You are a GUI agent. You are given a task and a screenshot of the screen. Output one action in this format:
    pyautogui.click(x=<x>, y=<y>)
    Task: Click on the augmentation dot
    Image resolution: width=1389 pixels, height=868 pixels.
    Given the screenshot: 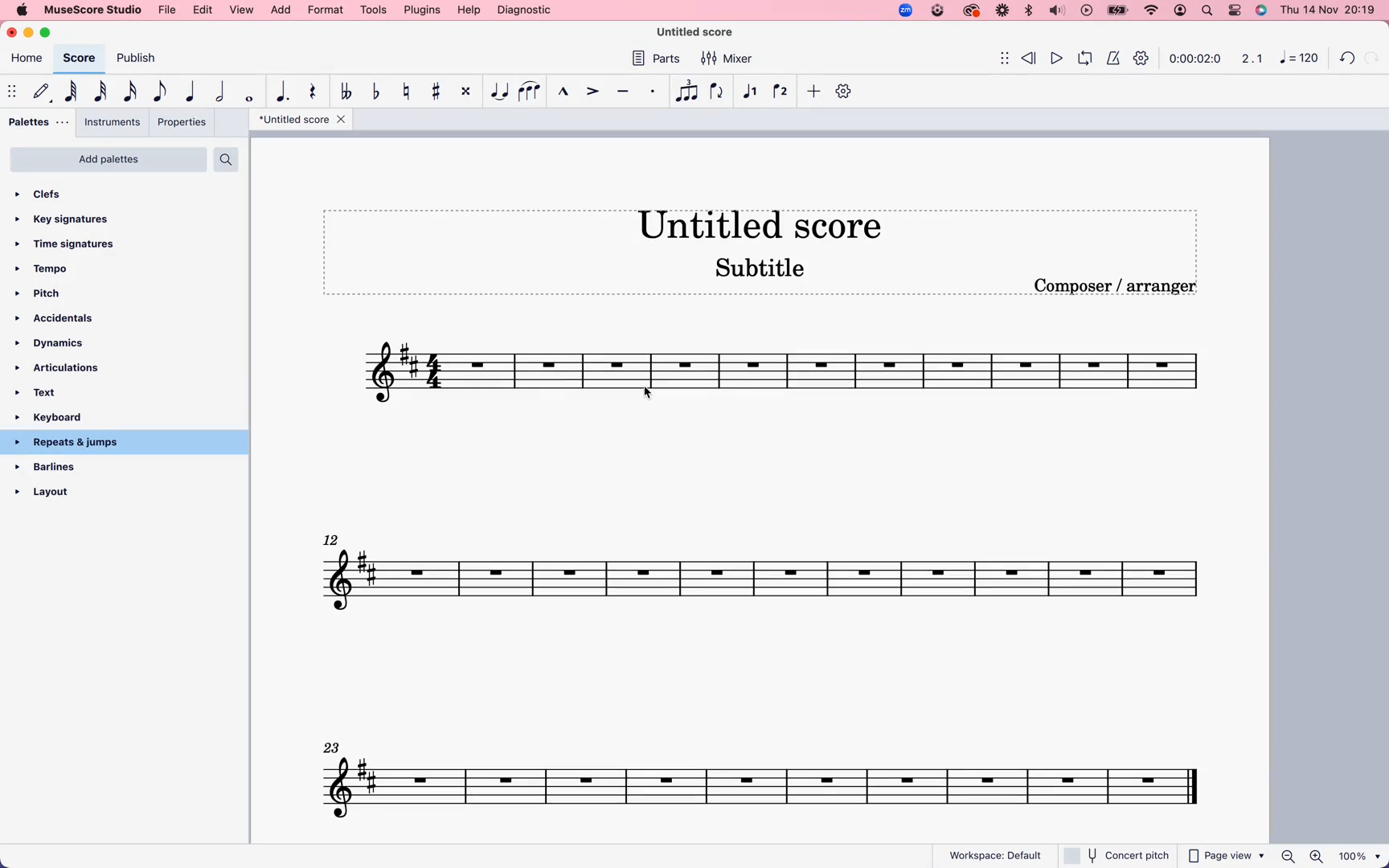 What is the action you would take?
    pyautogui.click(x=285, y=91)
    